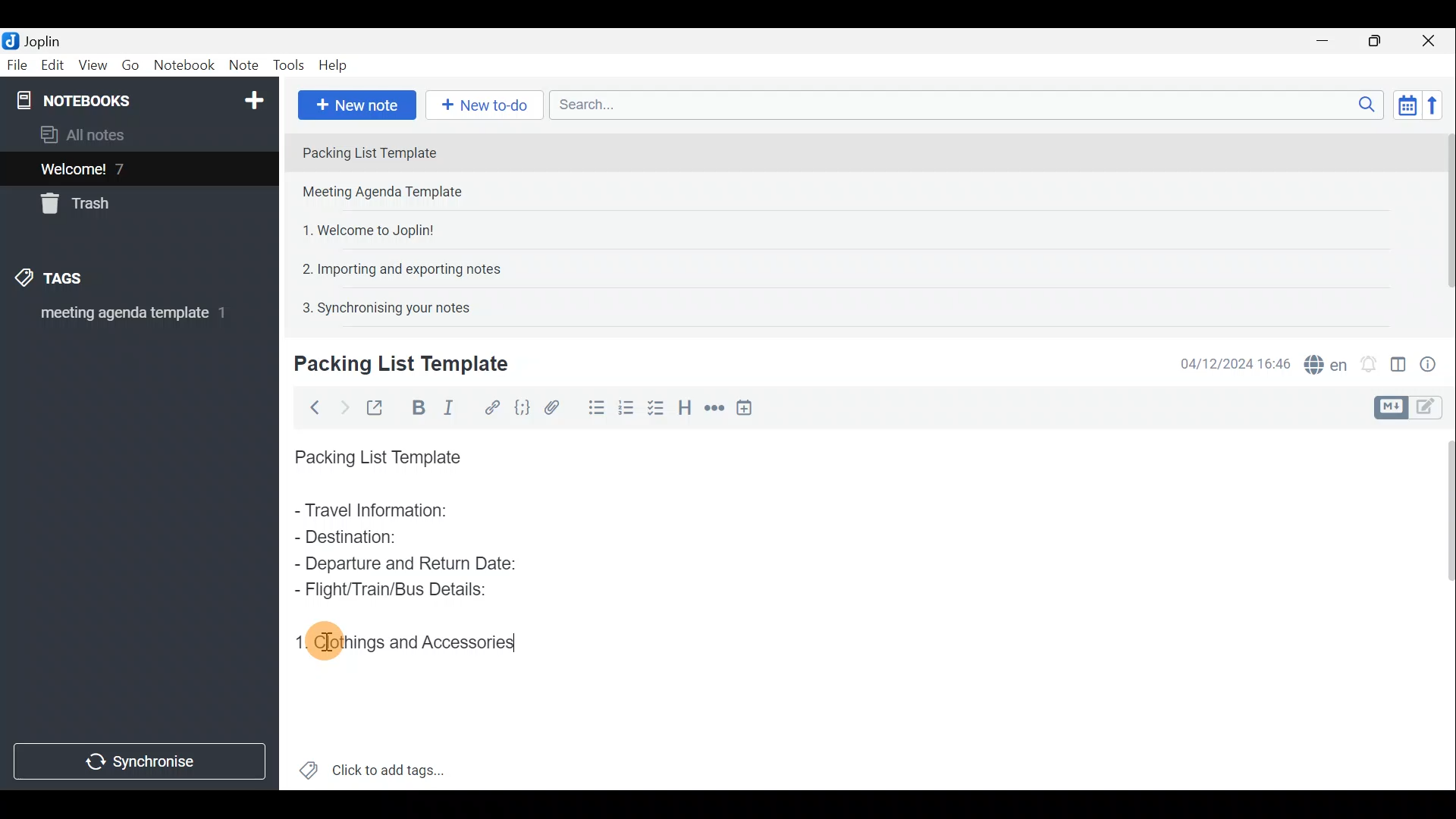 This screenshot has width=1456, height=819. Describe the element at coordinates (15, 64) in the screenshot. I see `File` at that location.